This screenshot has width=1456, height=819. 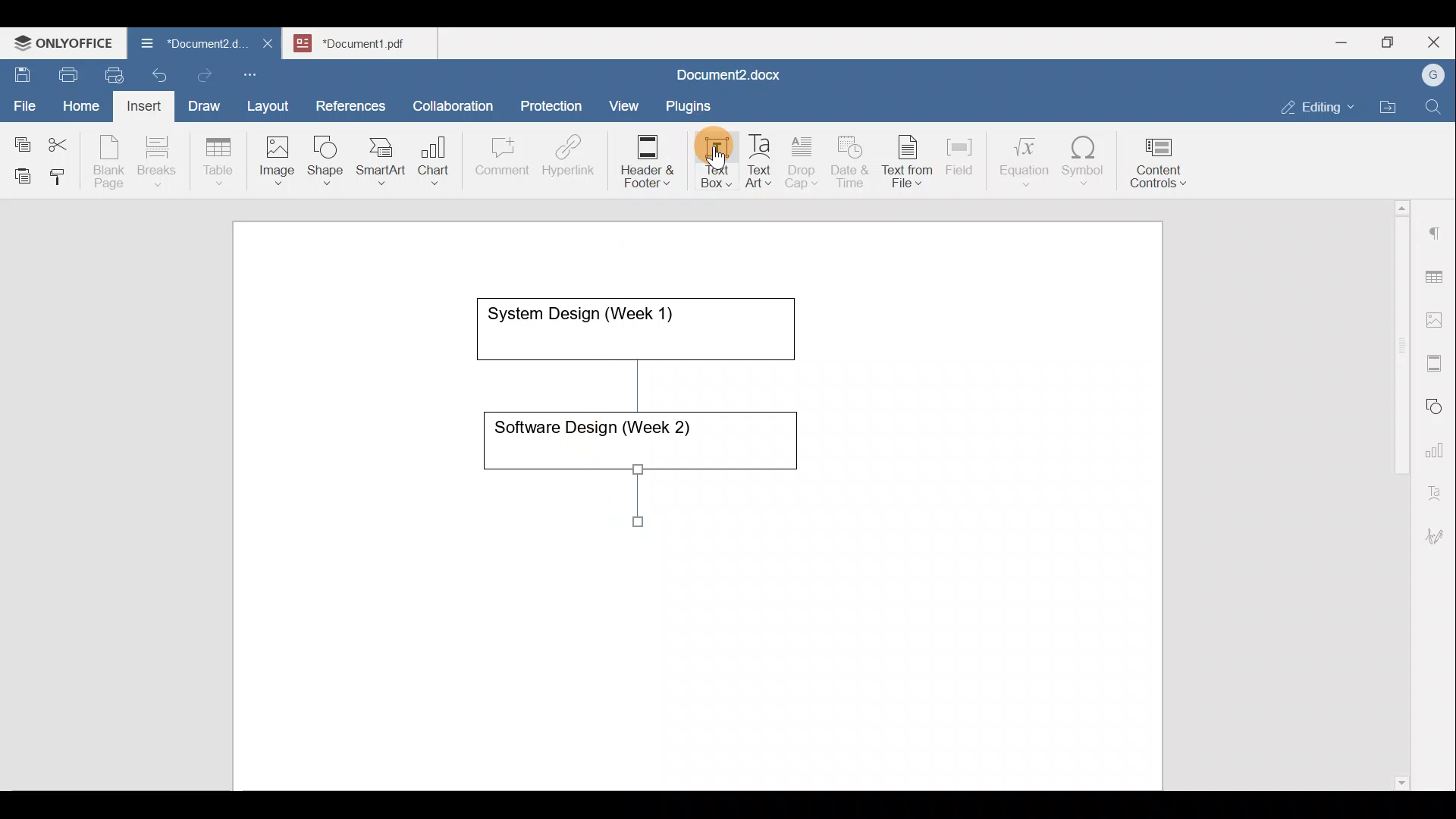 What do you see at coordinates (21, 71) in the screenshot?
I see `Save` at bounding box center [21, 71].